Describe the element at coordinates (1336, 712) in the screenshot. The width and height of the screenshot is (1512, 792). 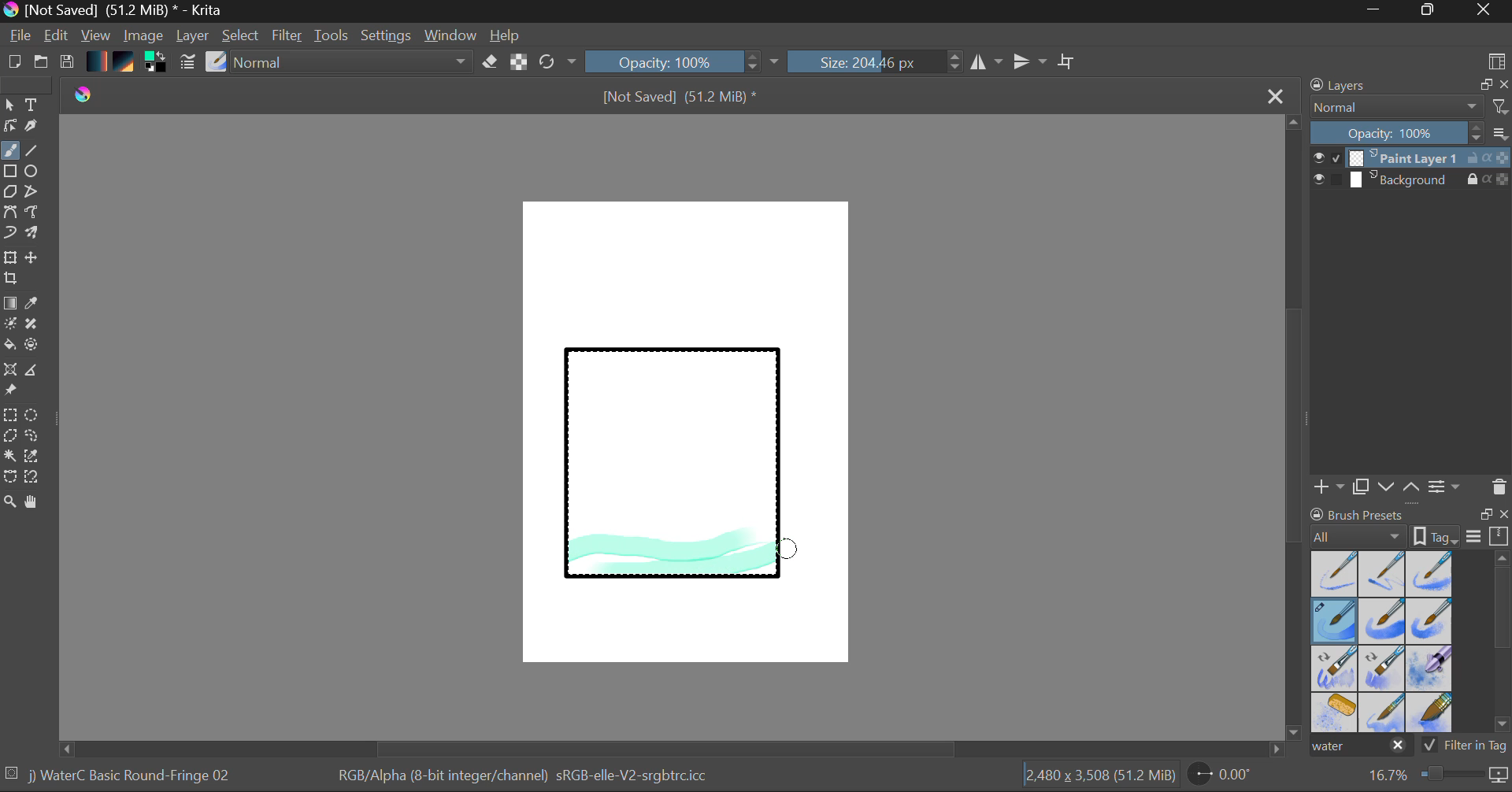
I see `Water C - Special Splats` at that location.